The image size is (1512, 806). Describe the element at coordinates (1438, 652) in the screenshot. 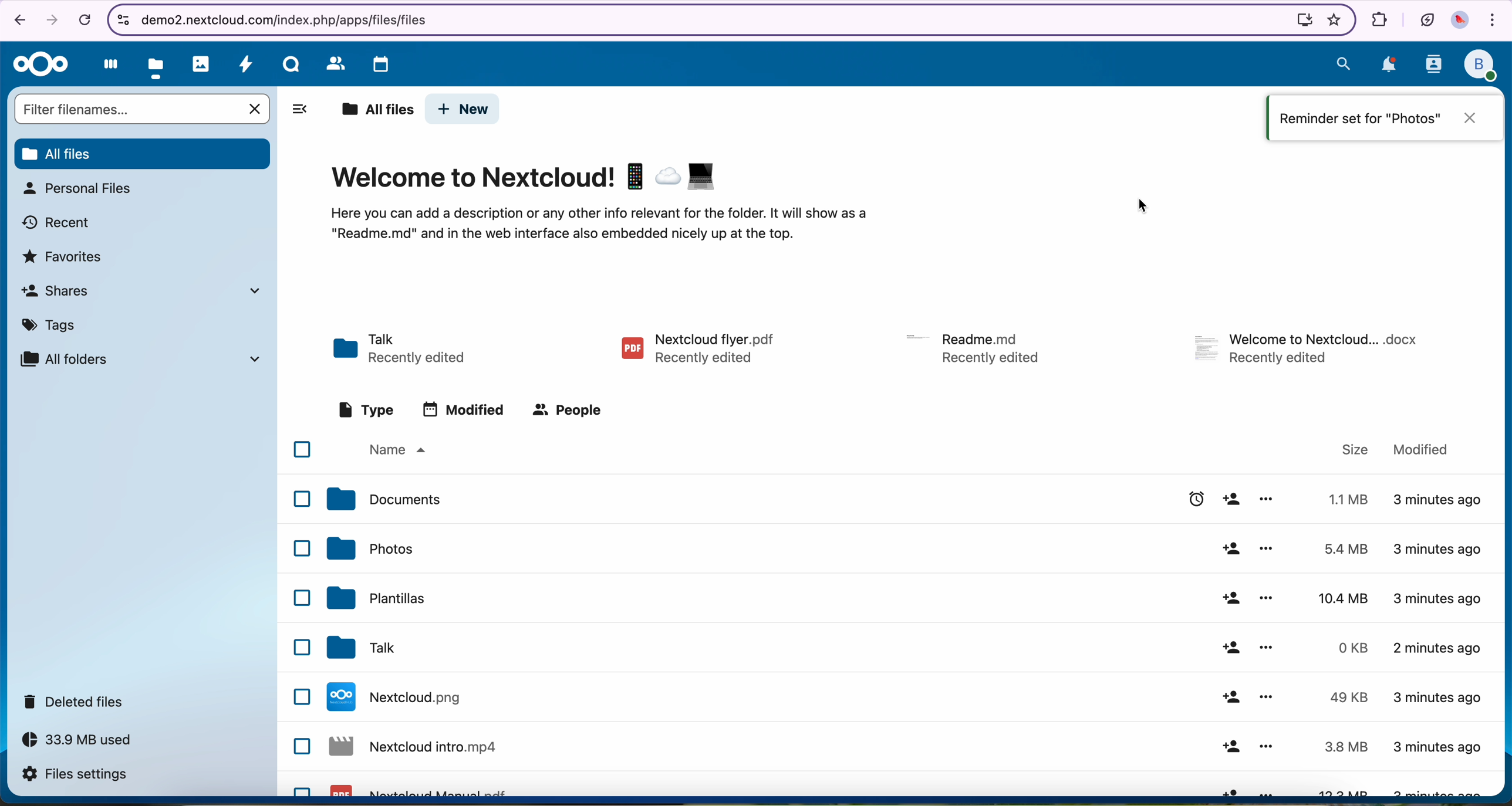

I see `2 minutes ago` at that location.